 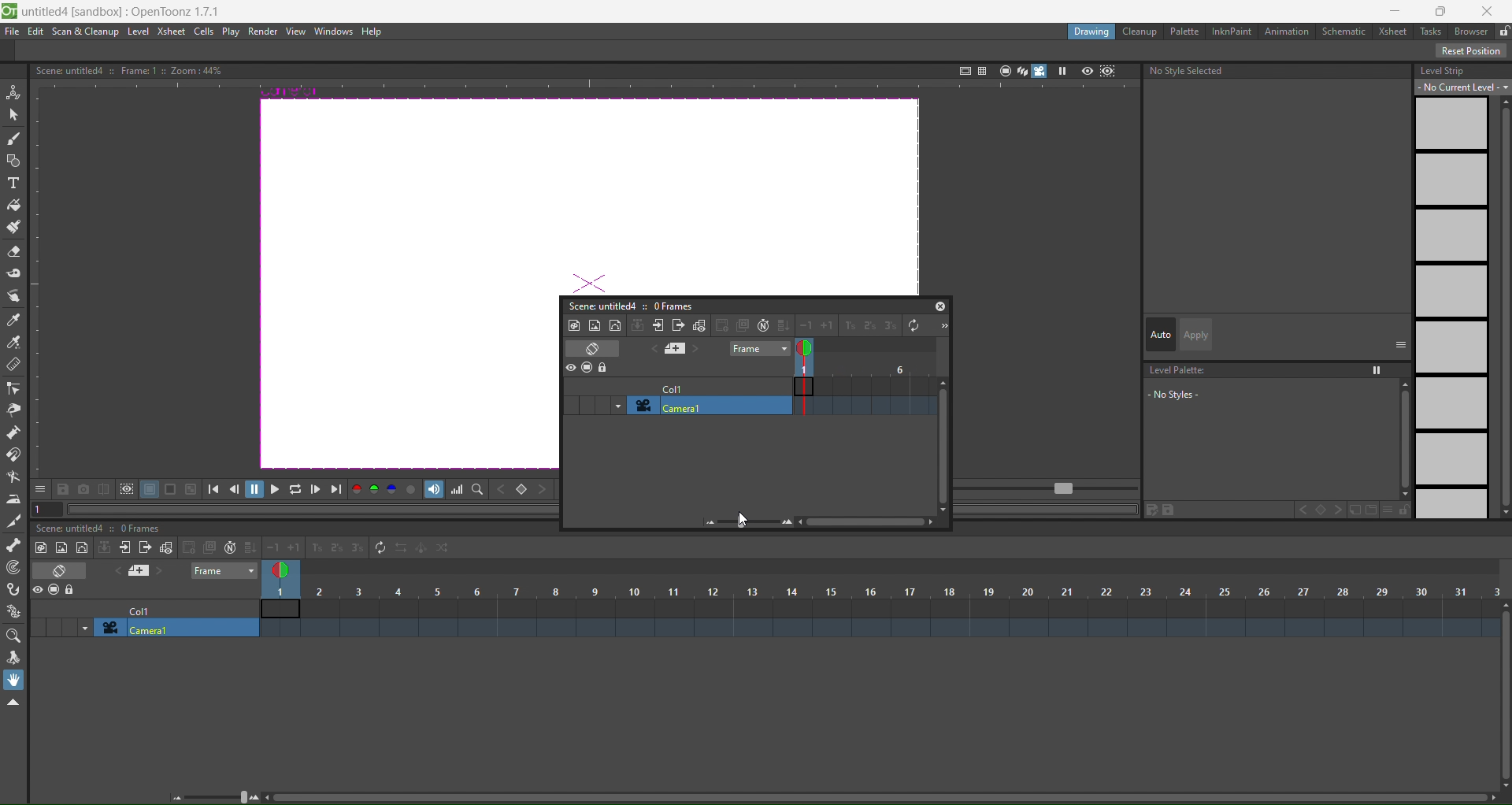 What do you see at coordinates (140, 572) in the screenshot?
I see `add new memo` at bounding box center [140, 572].